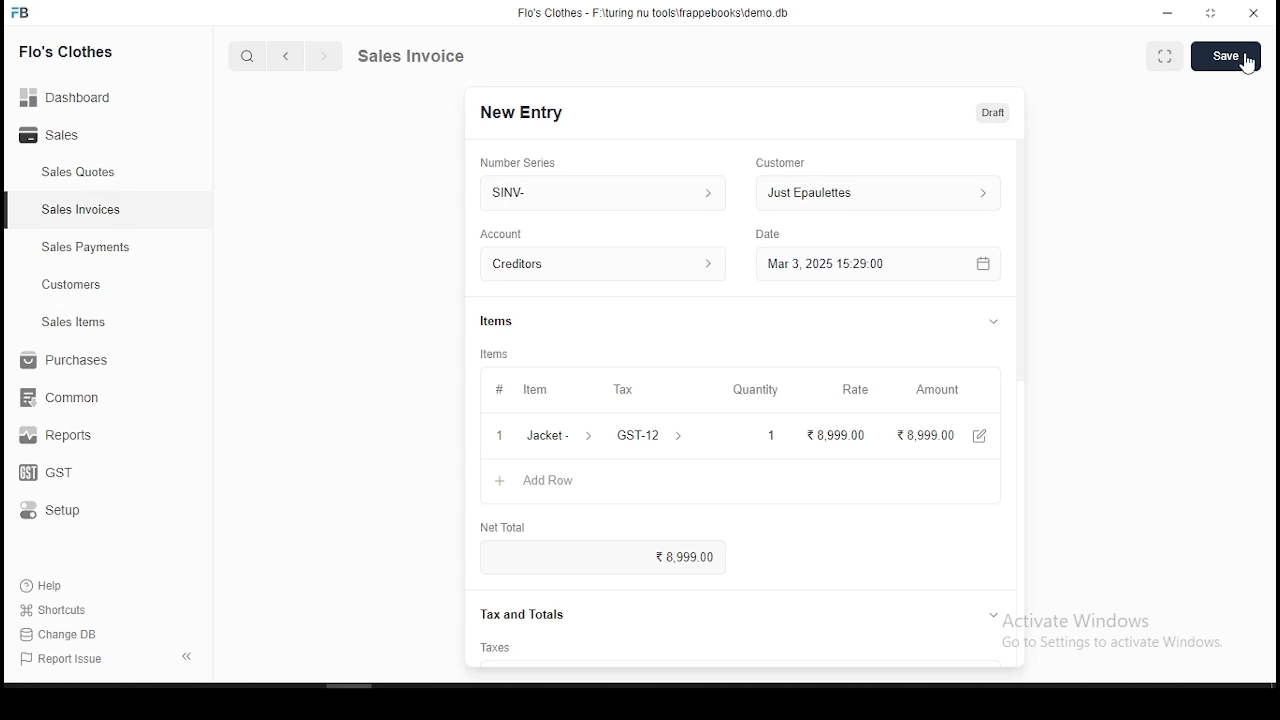 The height and width of the screenshot is (720, 1280). Describe the element at coordinates (547, 436) in the screenshot. I see `1 Jacket- >` at that location.